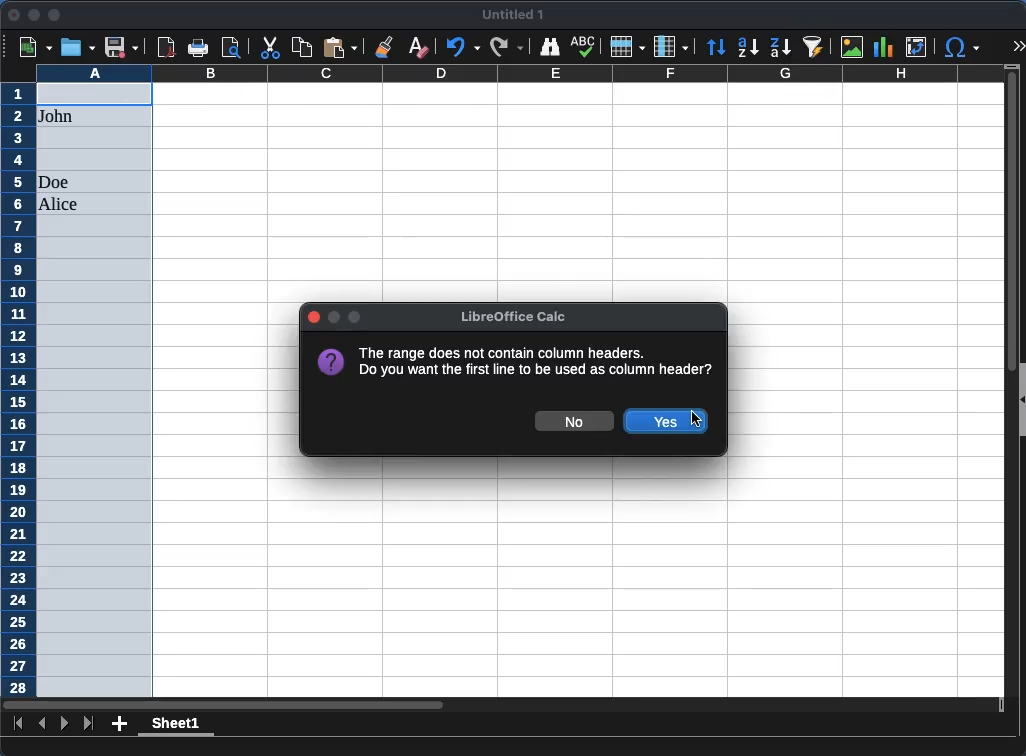 The height and width of the screenshot is (756, 1026). What do you see at coordinates (514, 361) in the screenshot?
I see `The range does not contain column headers. Do you want the first line to be used as column header?` at bounding box center [514, 361].